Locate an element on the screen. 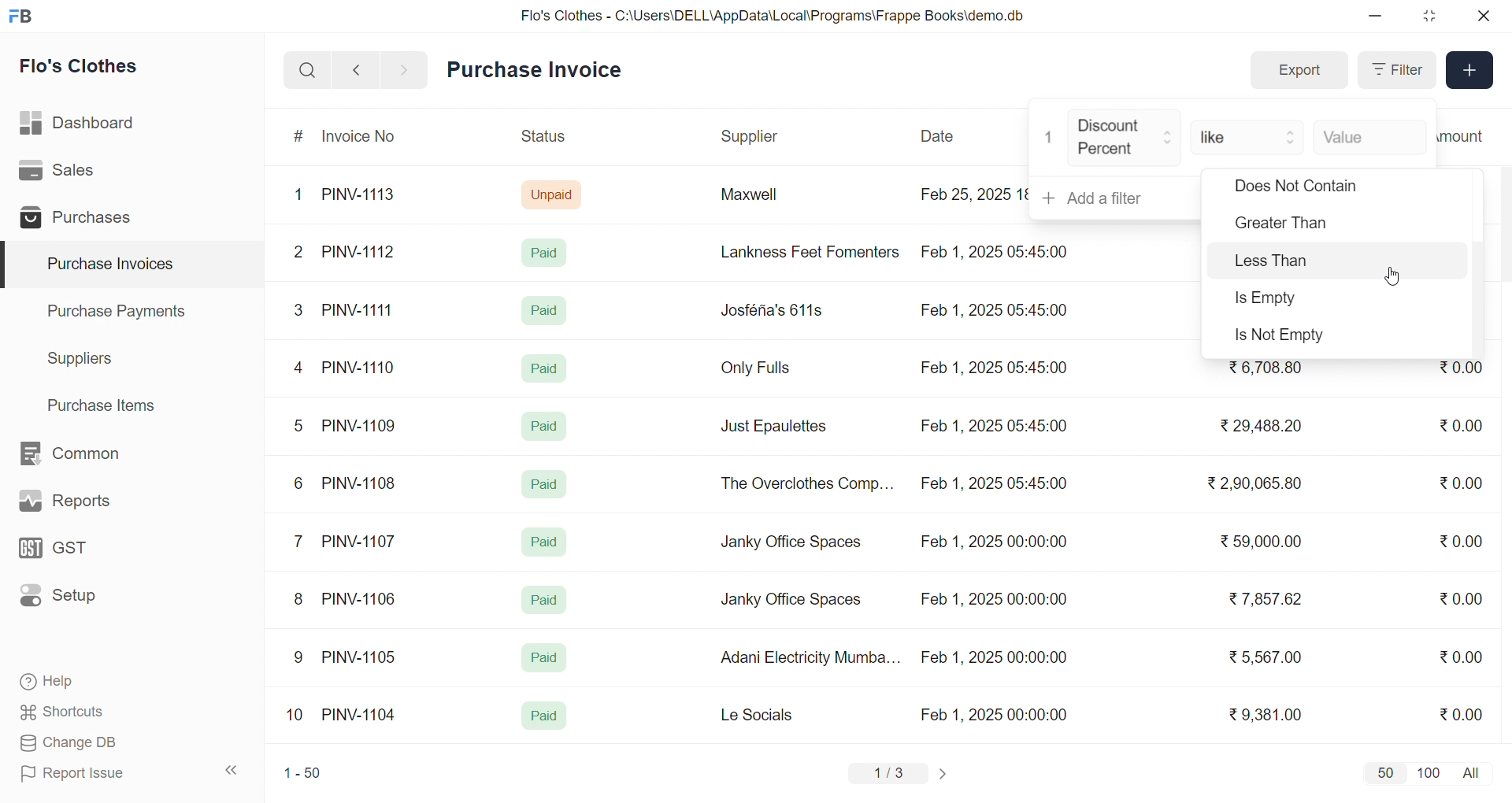 This screenshot has width=1512, height=803. Unpaid is located at coordinates (554, 194).